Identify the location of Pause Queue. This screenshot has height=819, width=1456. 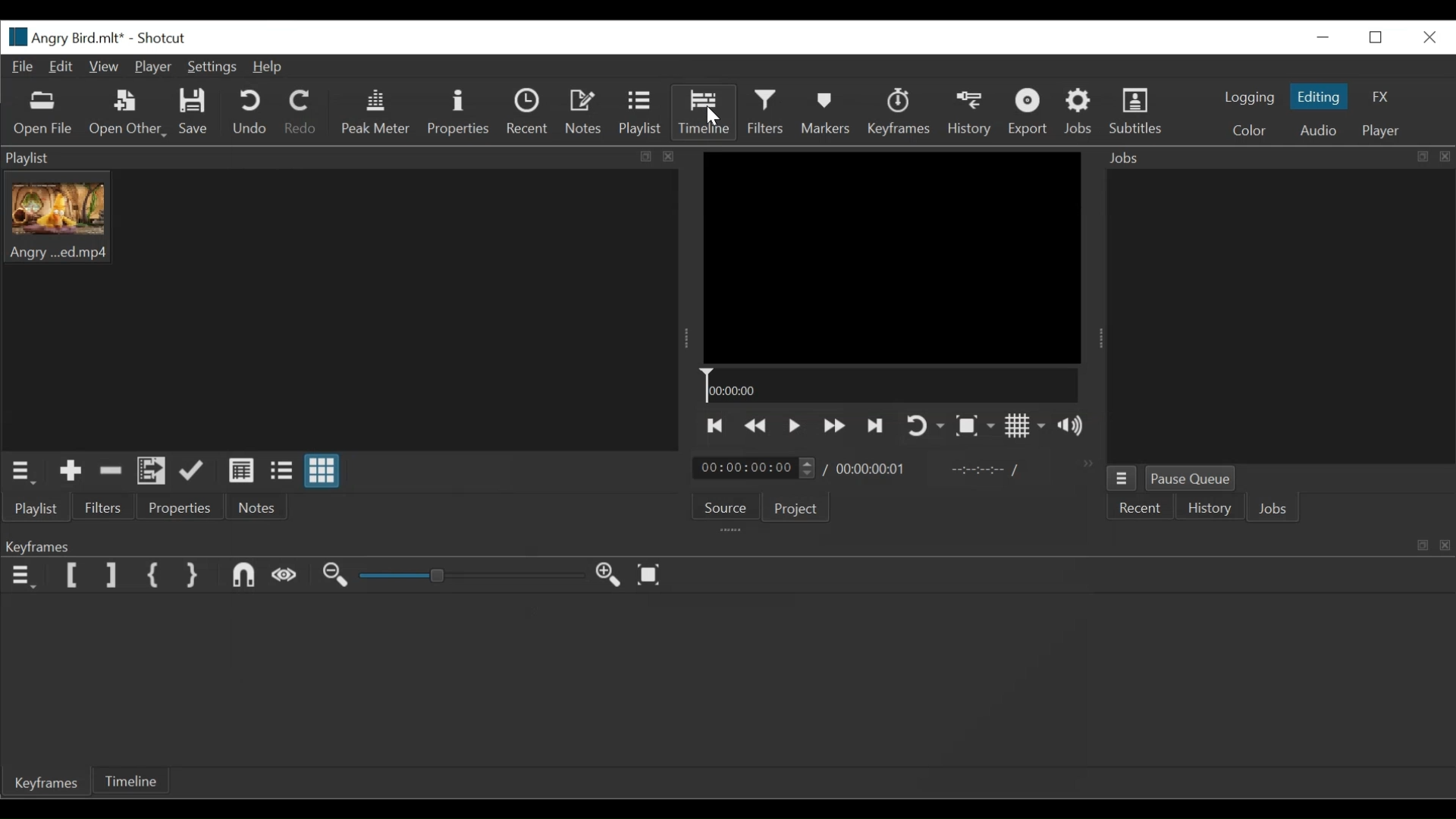
(1191, 479).